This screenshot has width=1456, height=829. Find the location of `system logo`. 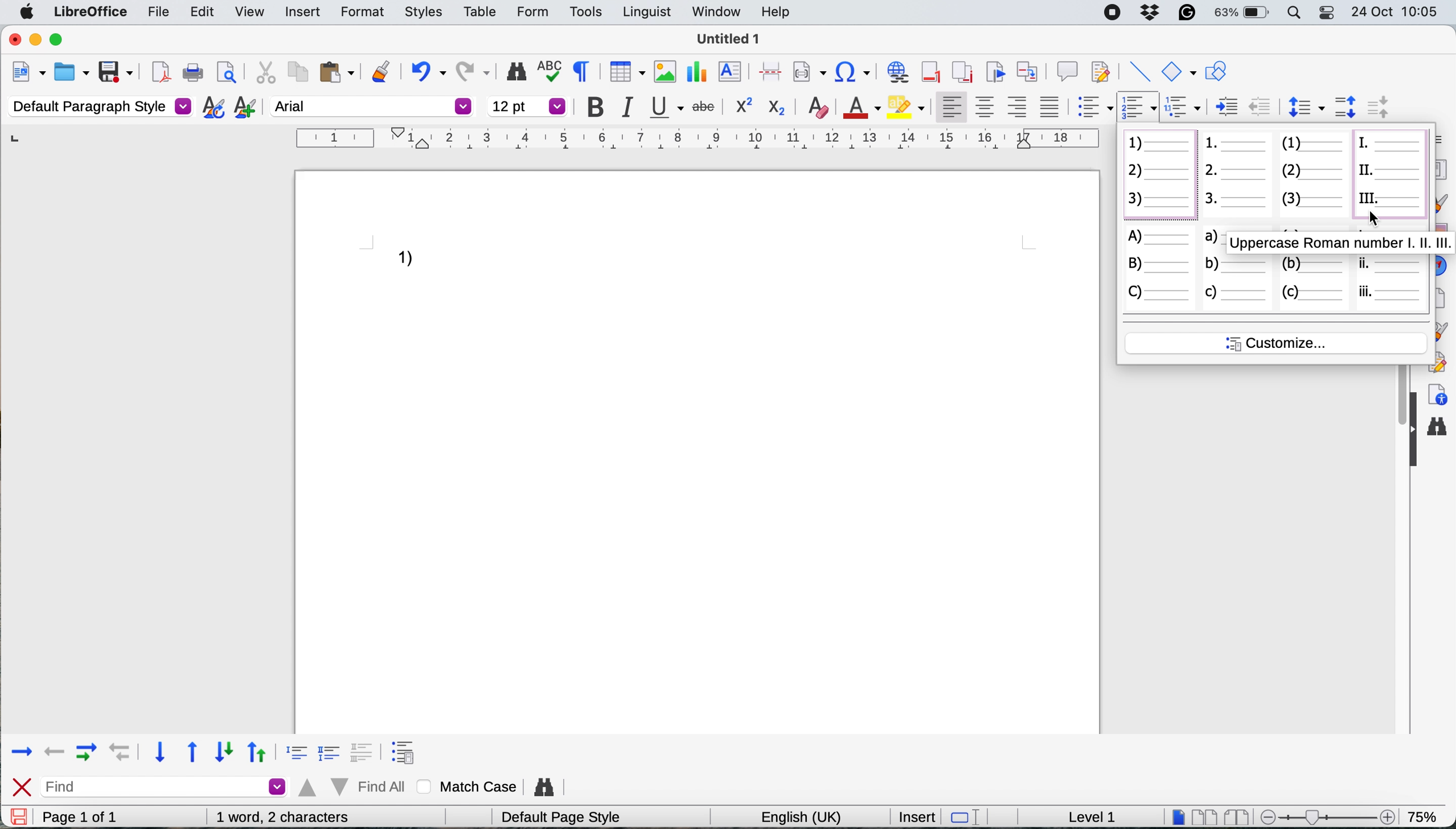

system logo is located at coordinates (27, 12).